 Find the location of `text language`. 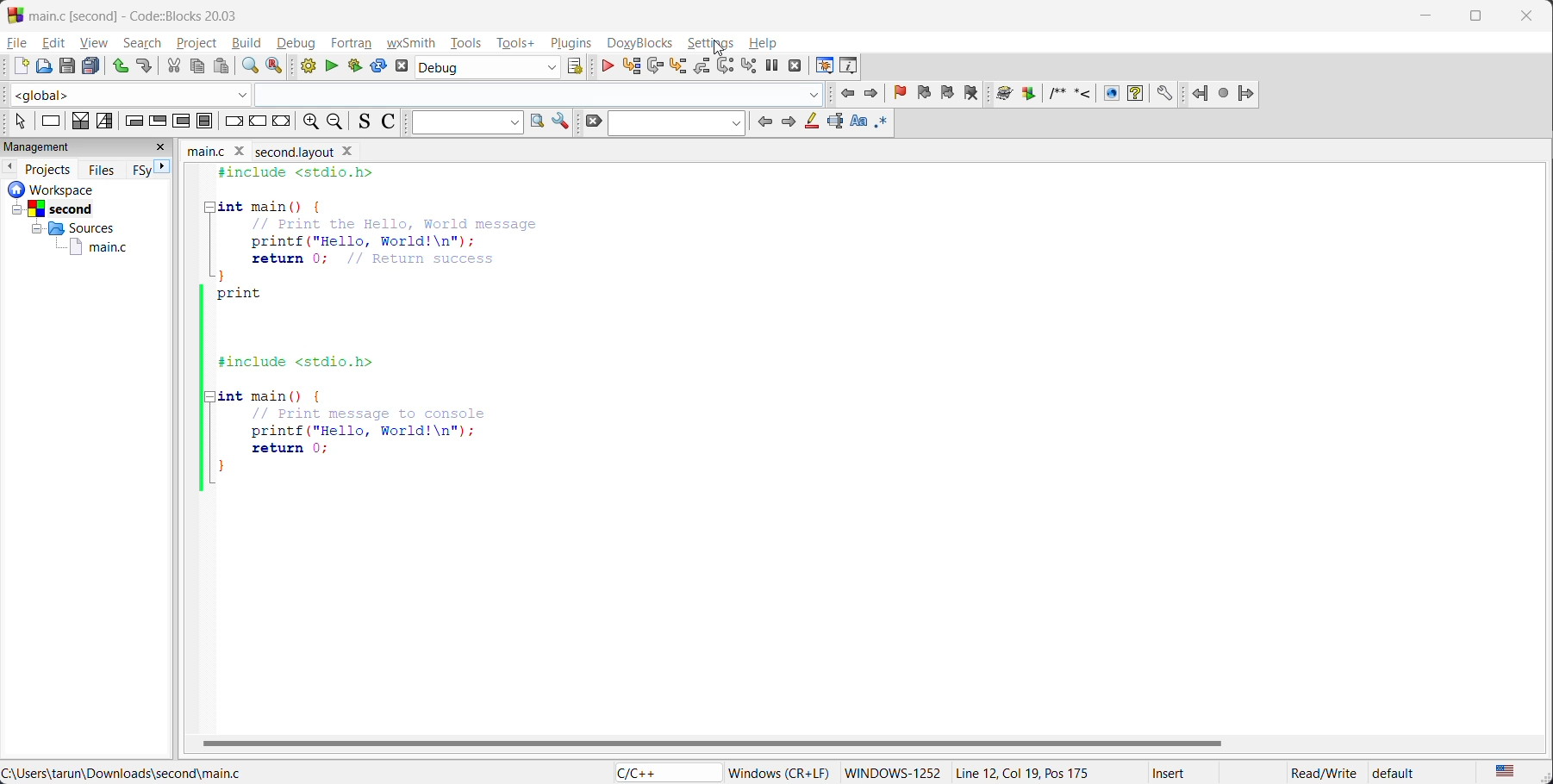

text language is located at coordinates (1505, 772).